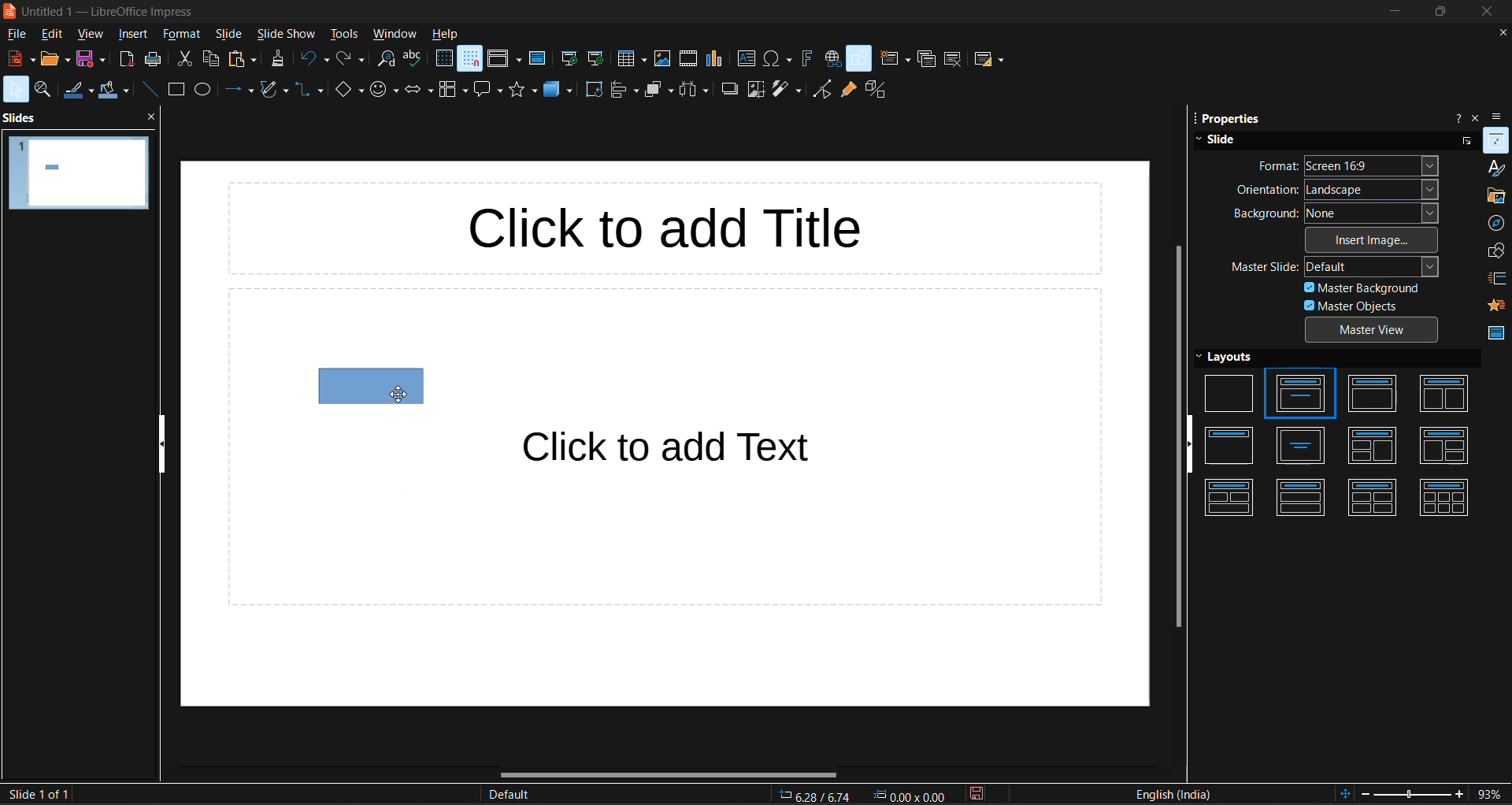 This screenshot has width=1512, height=805. I want to click on ellipse, so click(202, 91).